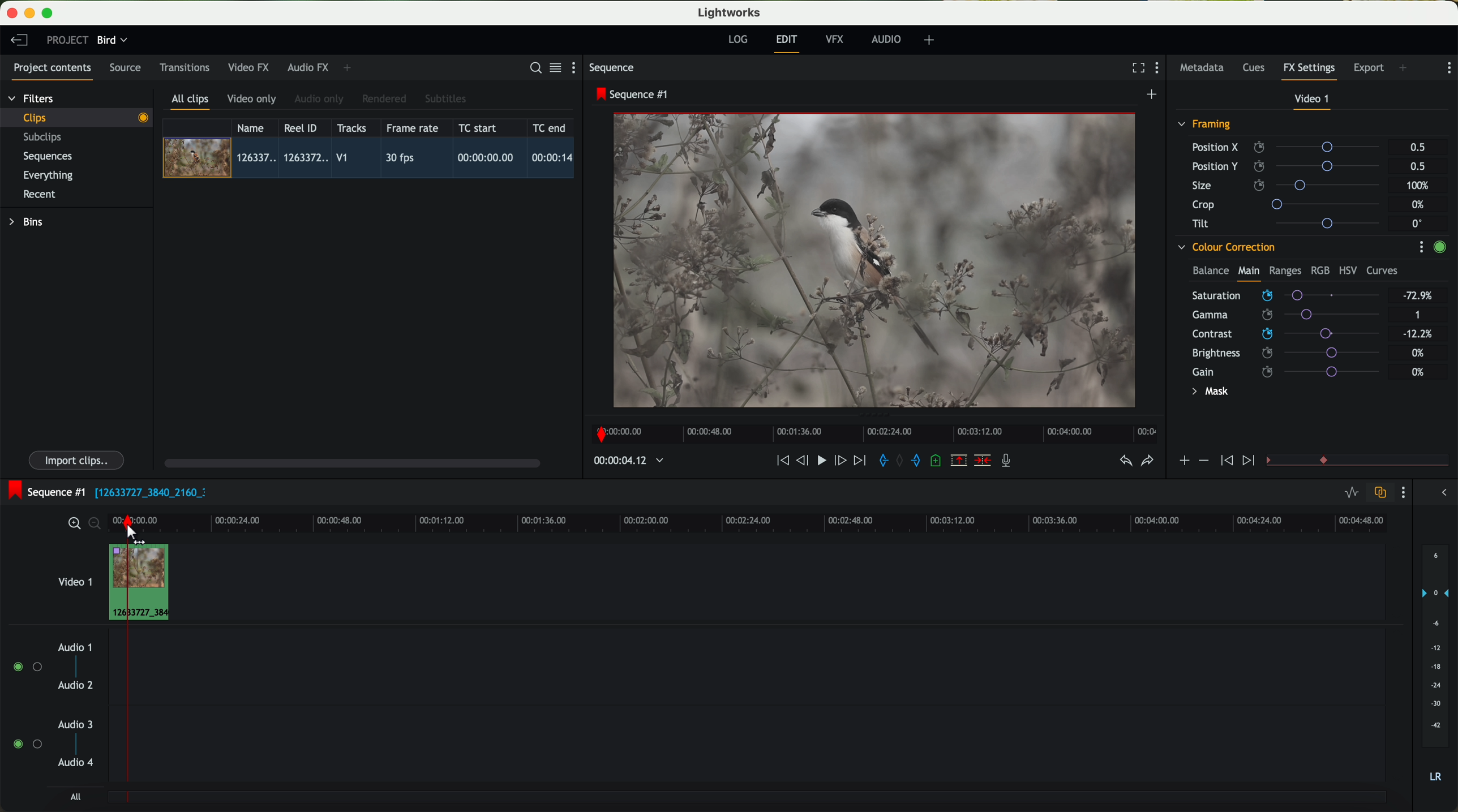 The width and height of the screenshot is (1458, 812). I want to click on nudge one frame foward, so click(842, 461).